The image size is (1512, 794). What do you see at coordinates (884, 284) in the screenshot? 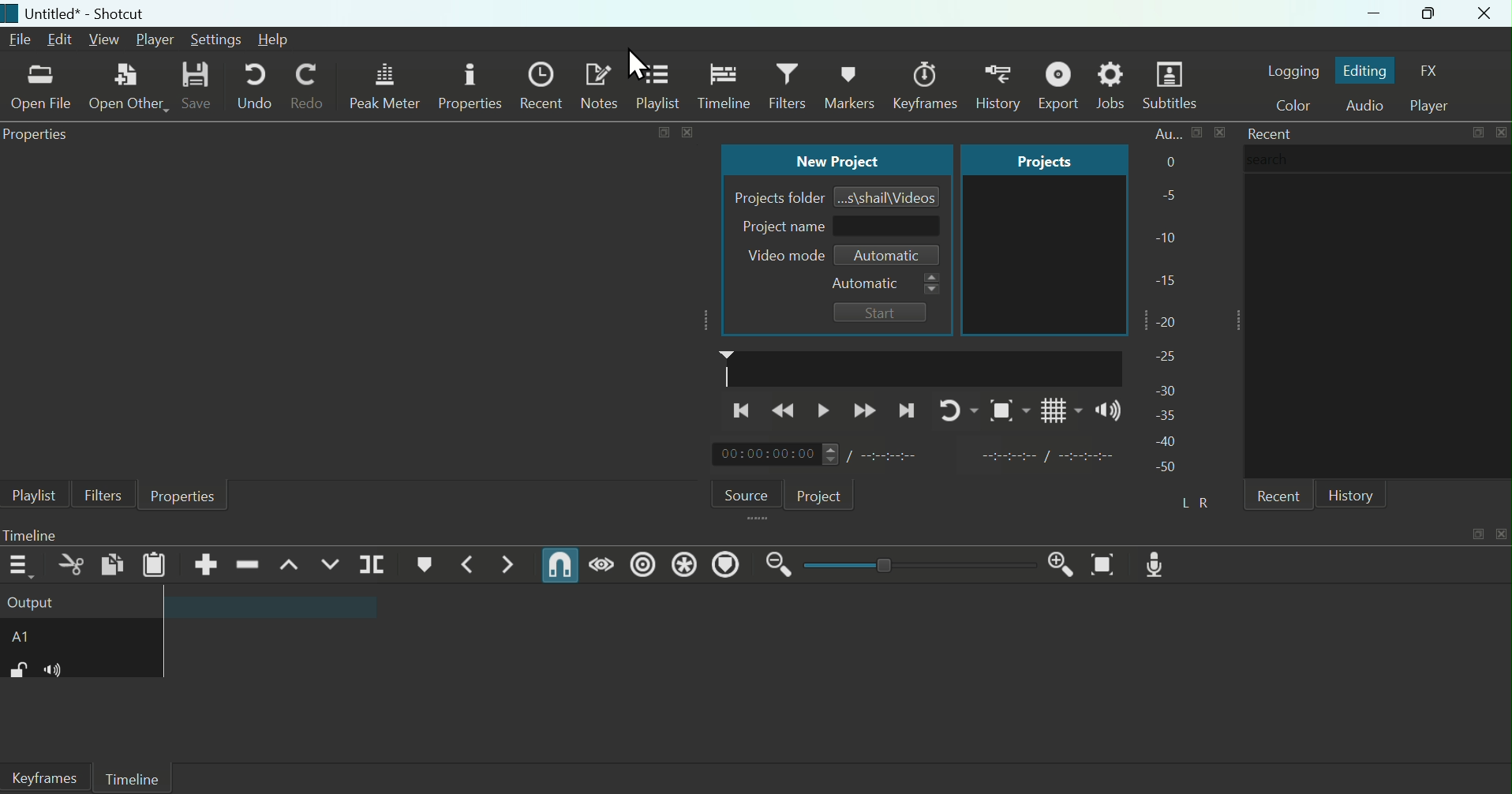
I see `Automatic` at bounding box center [884, 284].